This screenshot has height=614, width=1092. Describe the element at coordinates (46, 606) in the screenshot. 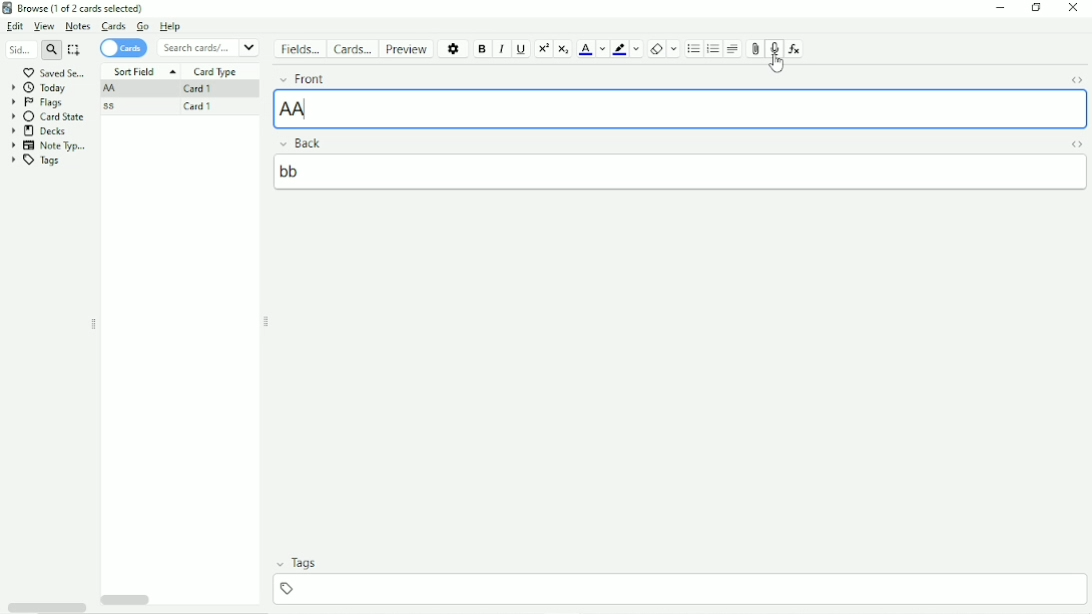

I see `Horizontal scrollbar` at that location.